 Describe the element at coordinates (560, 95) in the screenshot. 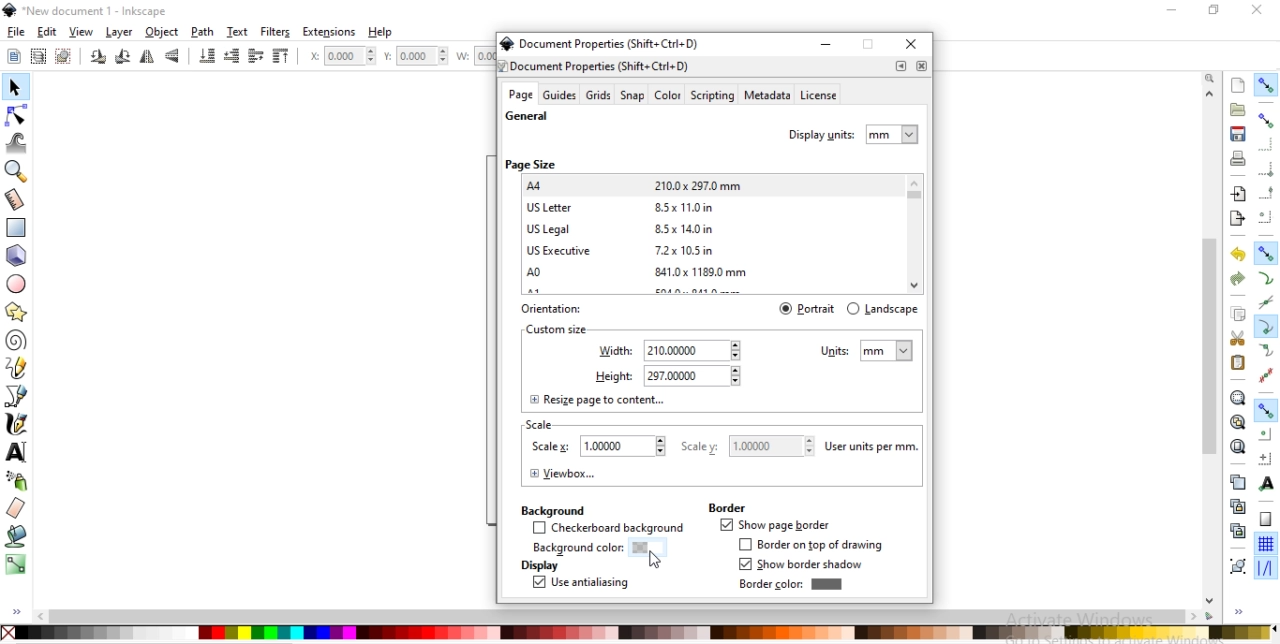

I see `guides` at that location.